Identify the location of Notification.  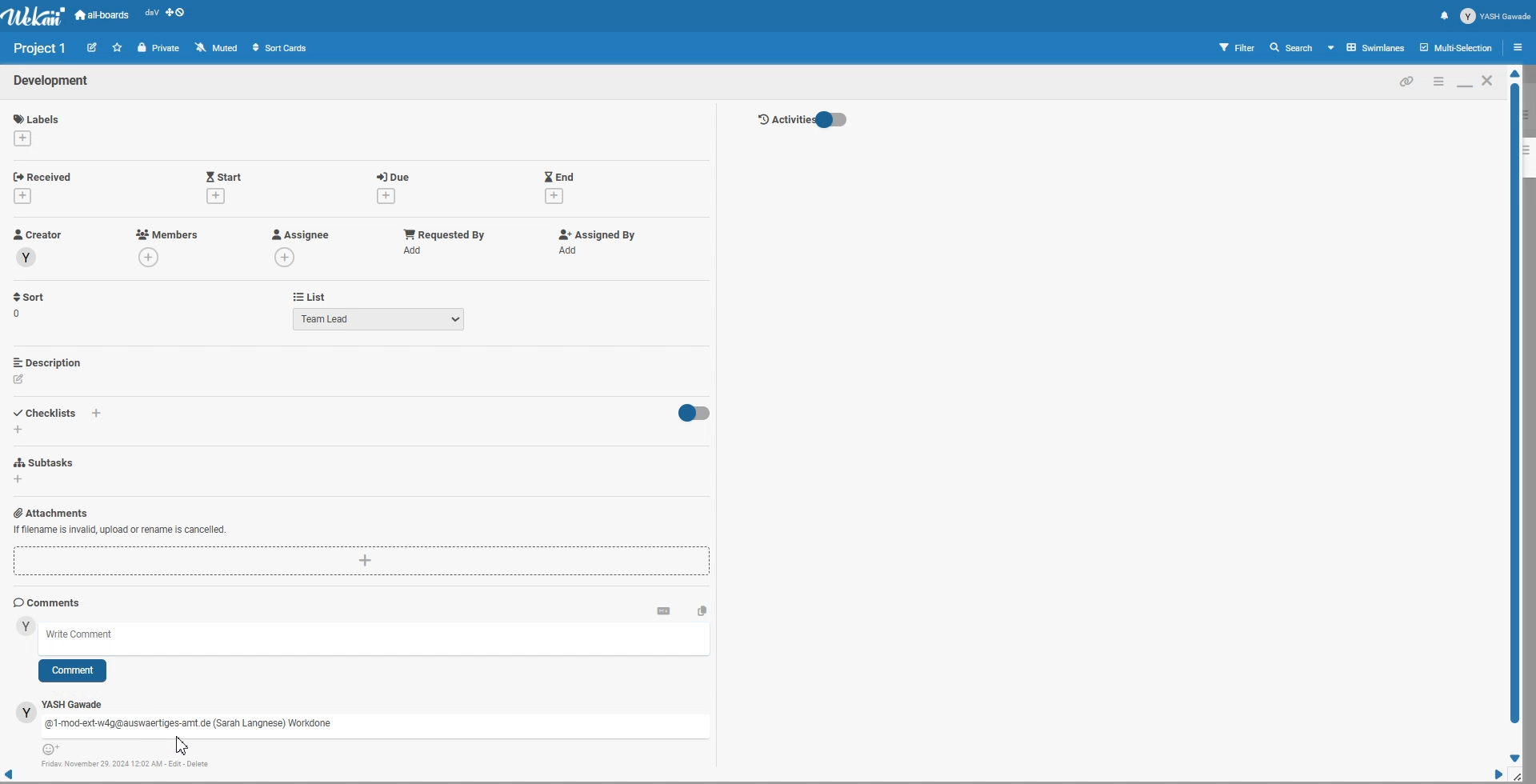
(1444, 15).